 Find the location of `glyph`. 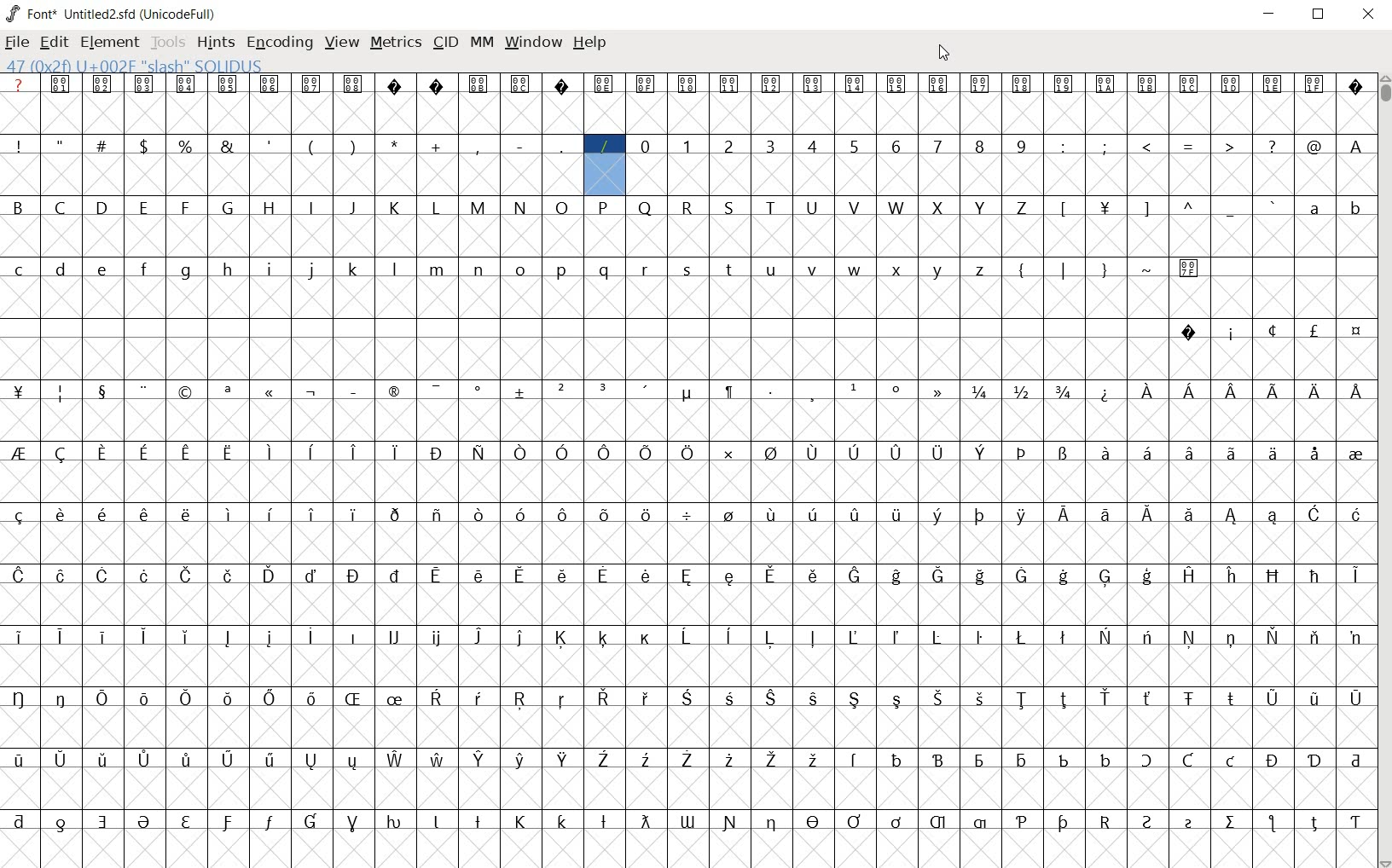

glyph is located at coordinates (351, 762).